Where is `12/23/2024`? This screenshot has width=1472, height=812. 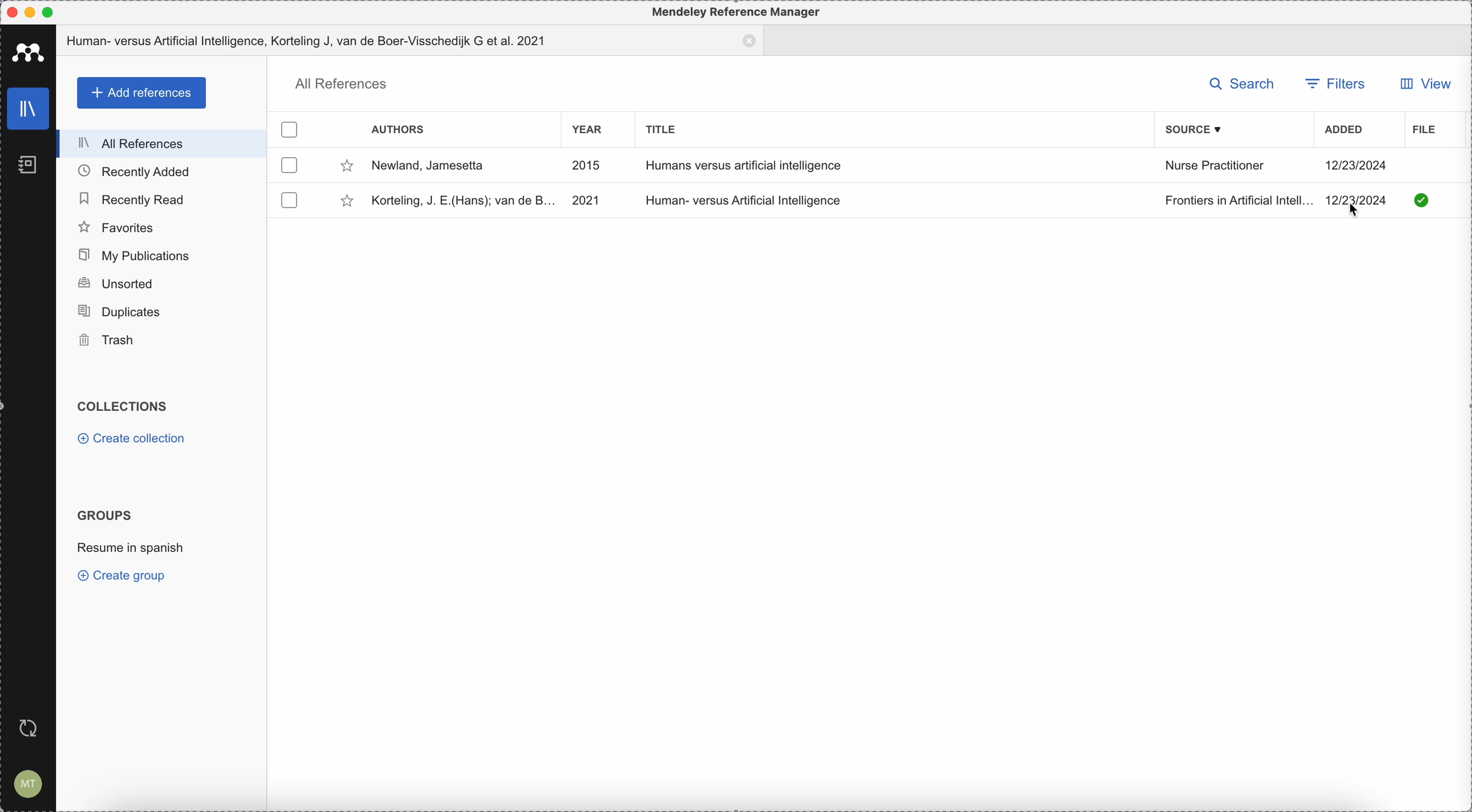 12/23/2024 is located at coordinates (1355, 199).